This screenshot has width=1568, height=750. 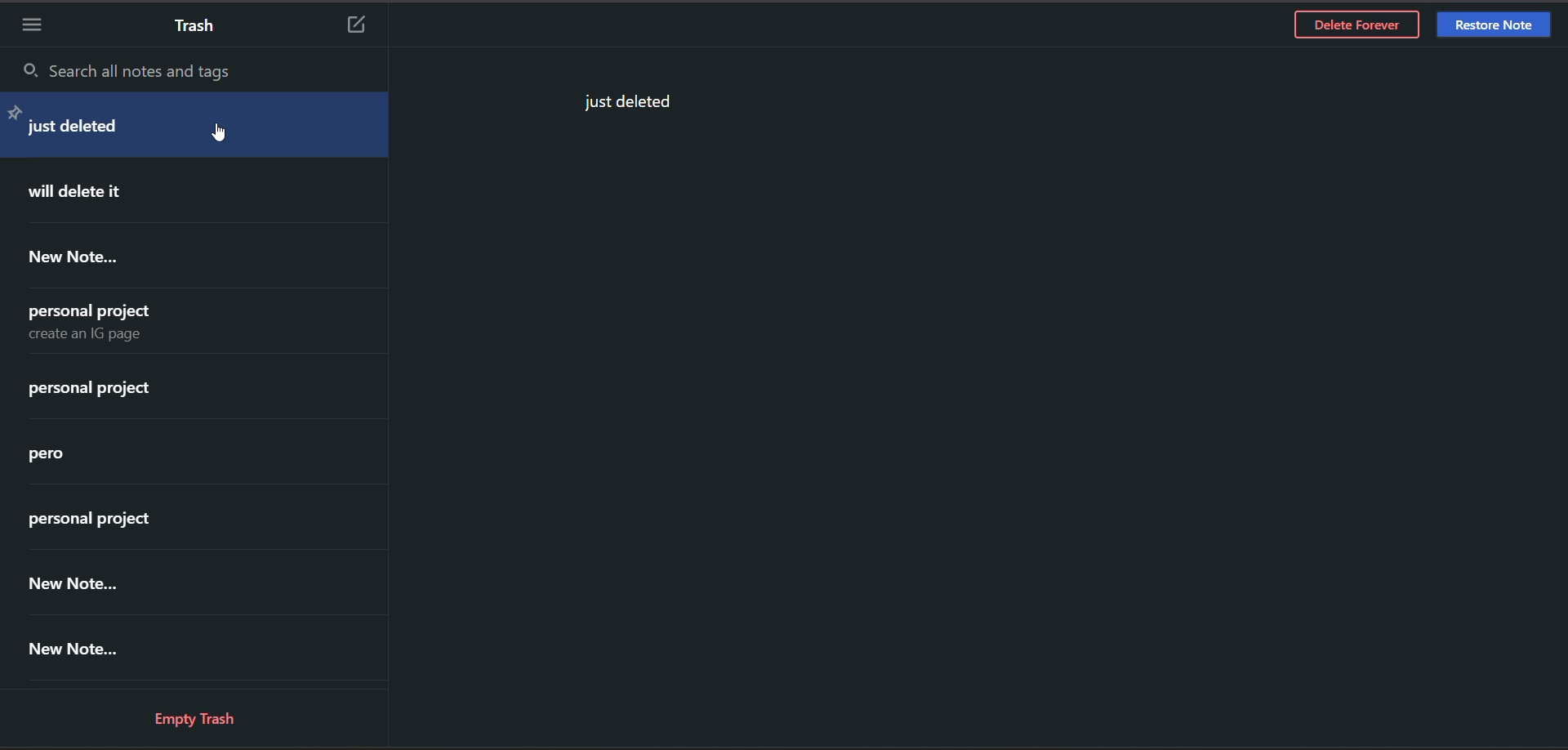 What do you see at coordinates (74, 457) in the screenshot?
I see `deleted note title 6` at bounding box center [74, 457].